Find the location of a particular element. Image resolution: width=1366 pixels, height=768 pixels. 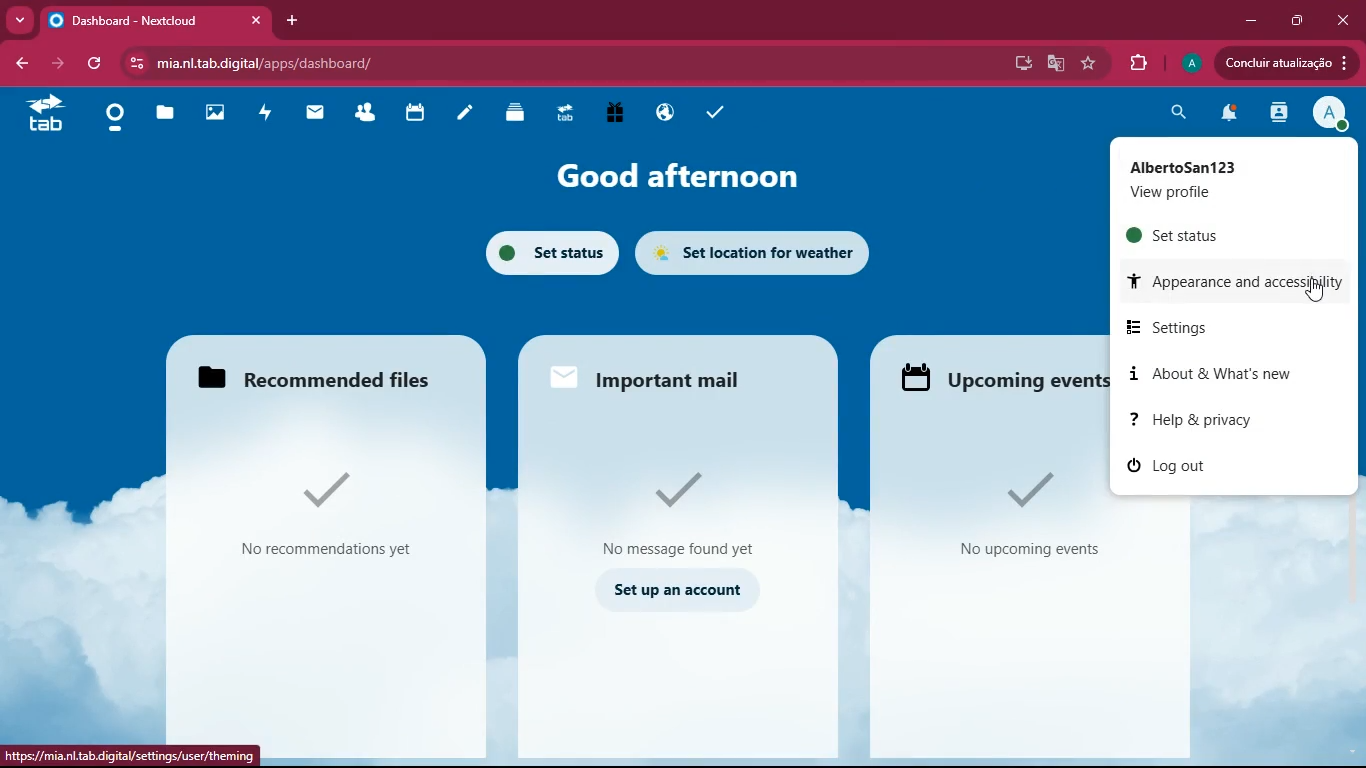

events is located at coordinates (1028, 510).